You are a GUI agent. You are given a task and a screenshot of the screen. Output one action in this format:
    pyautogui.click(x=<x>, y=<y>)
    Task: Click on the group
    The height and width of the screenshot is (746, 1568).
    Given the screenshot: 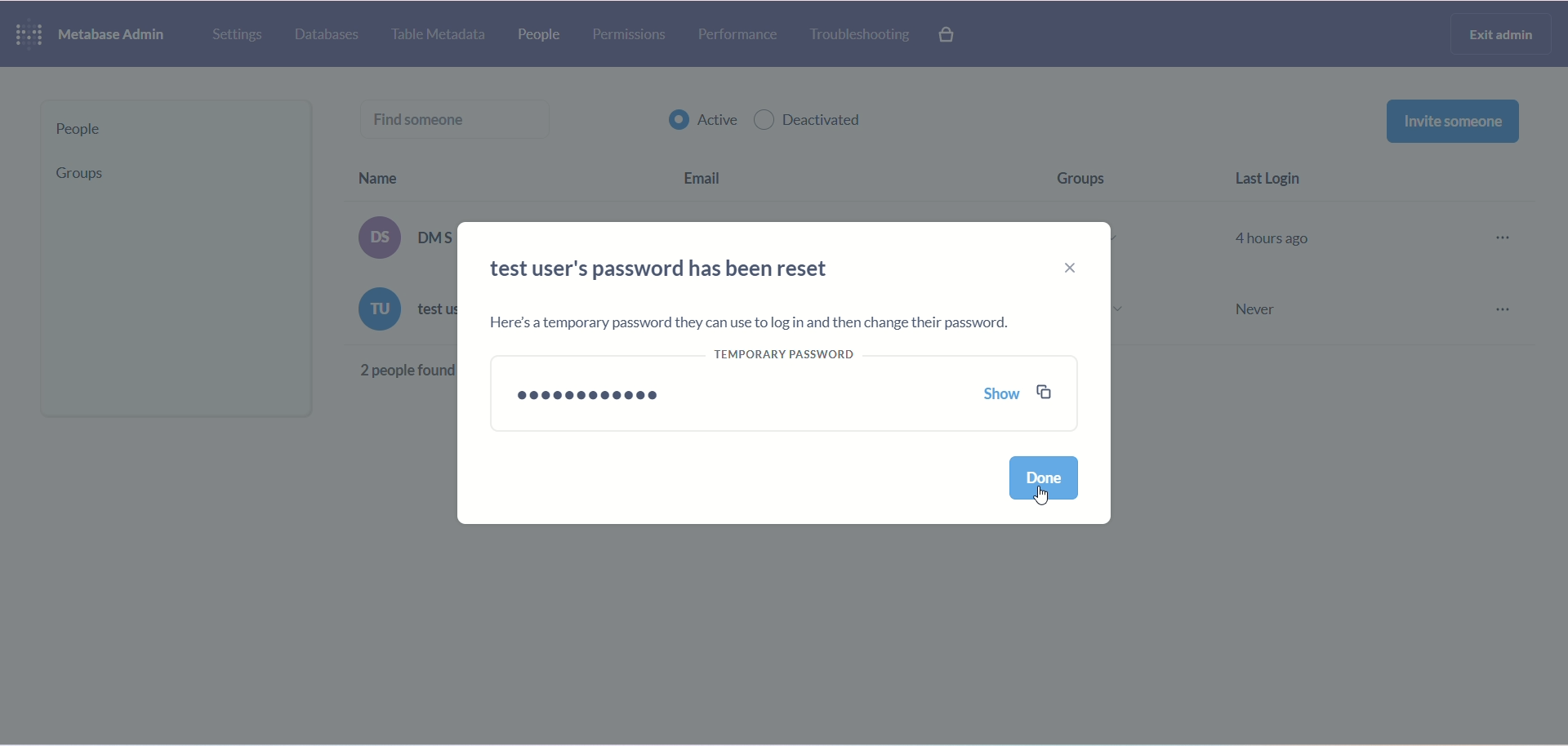 What is the action you would take?
    pyautogui.click(x=78, y=178)
    